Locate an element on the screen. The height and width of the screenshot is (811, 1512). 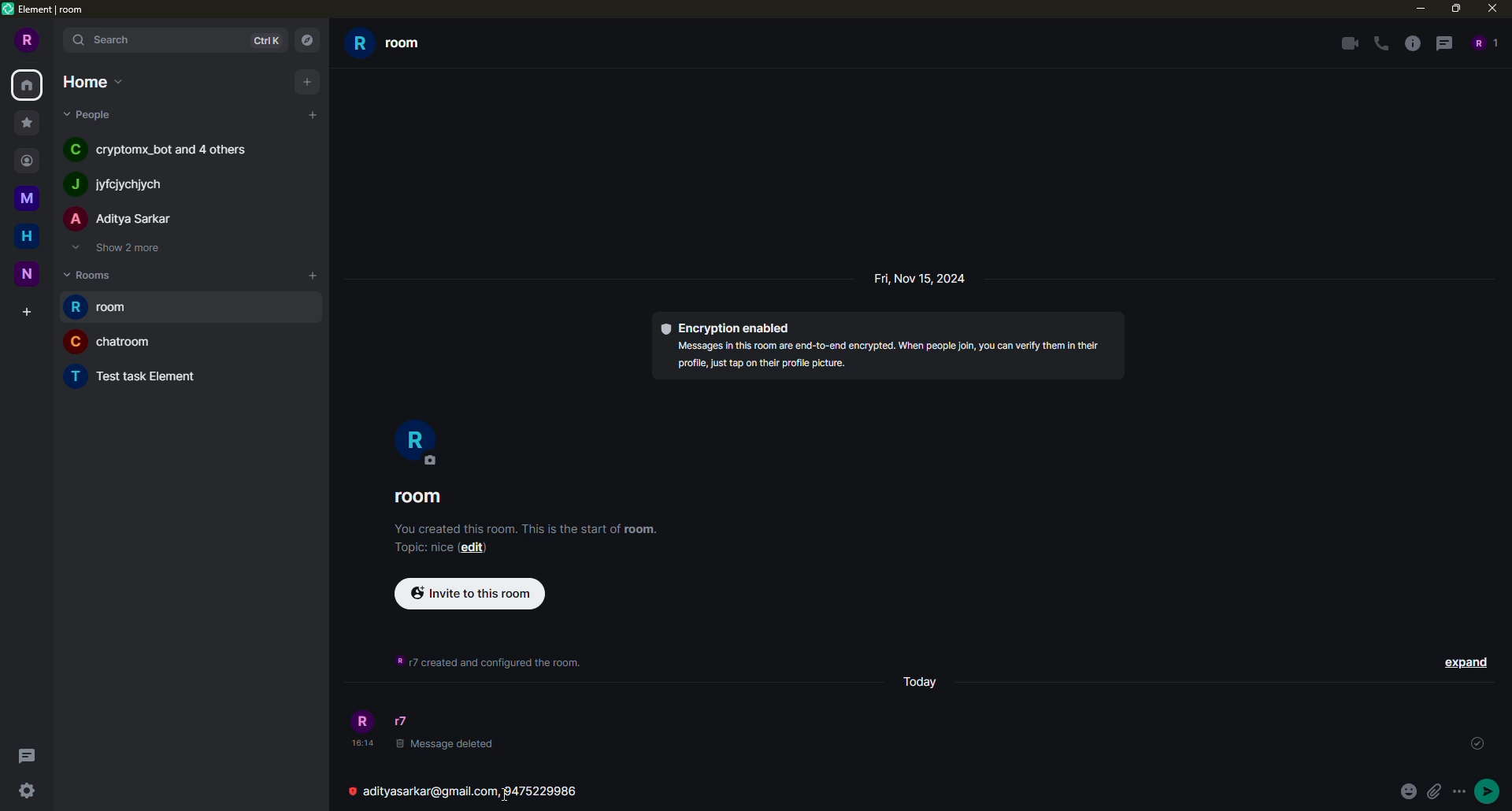
quick settings is located at coordinates (27, 789).